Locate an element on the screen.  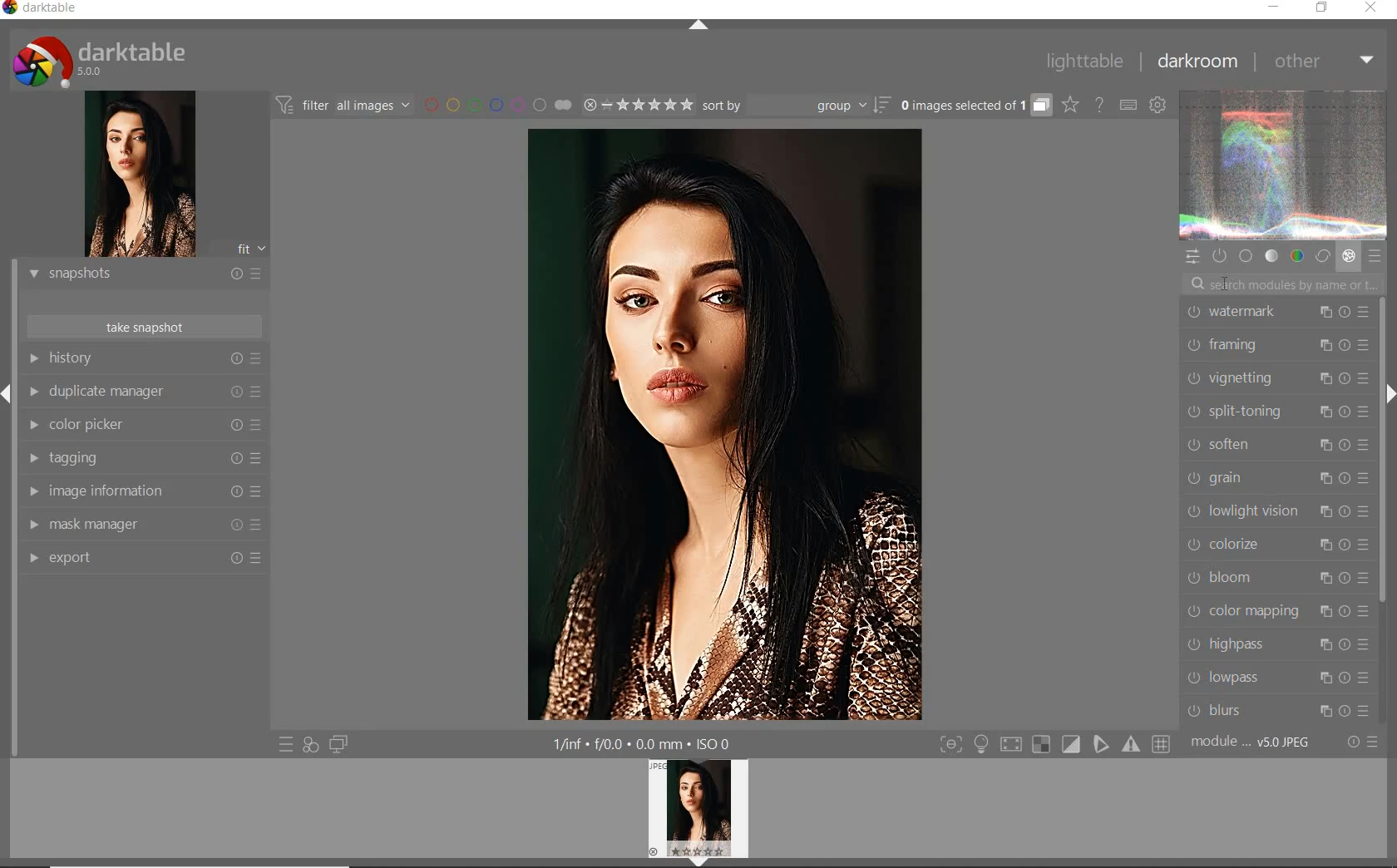
show only active modules is located at coordinates (1220, 257).